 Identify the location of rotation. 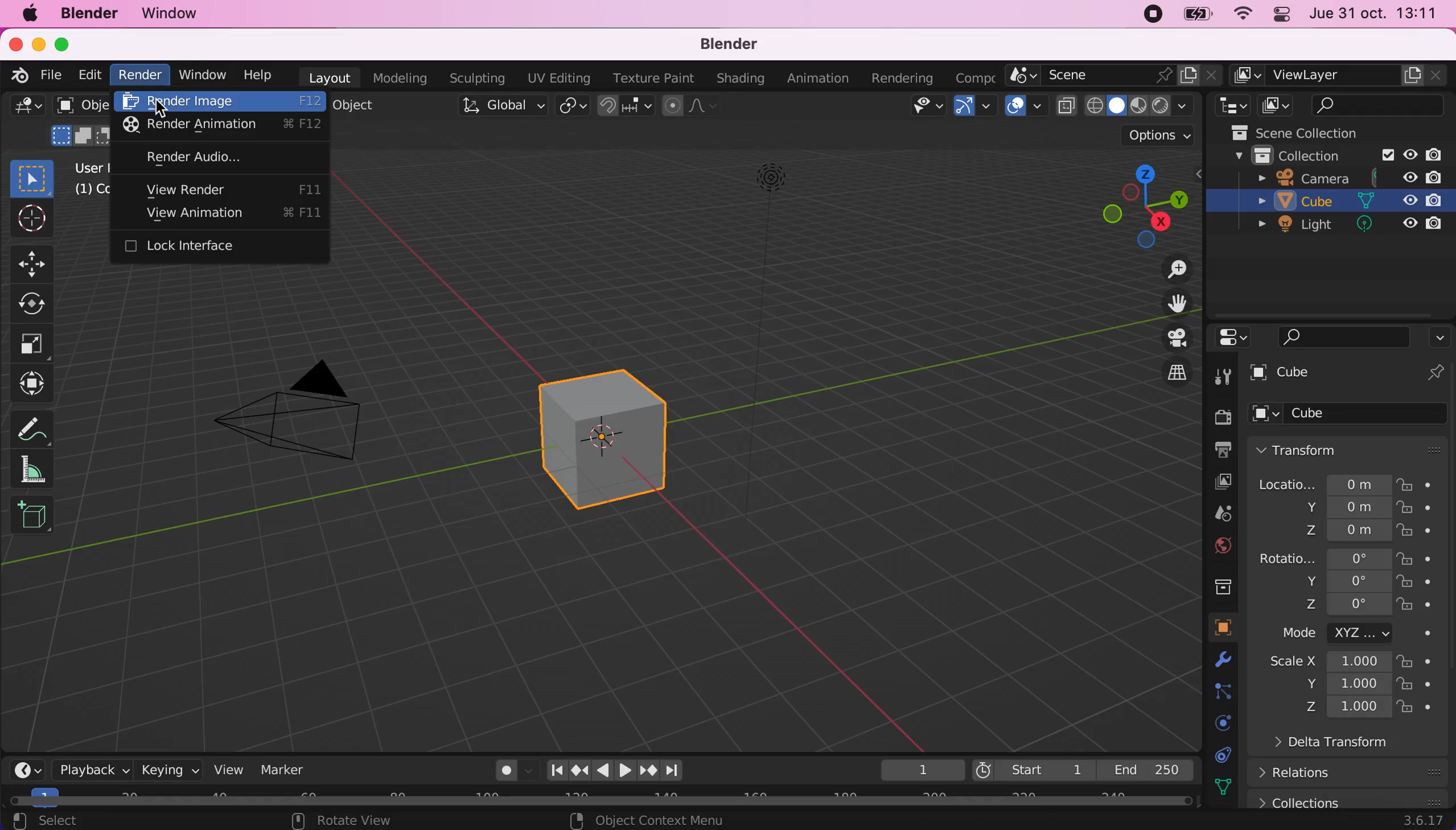
(1323, 557).